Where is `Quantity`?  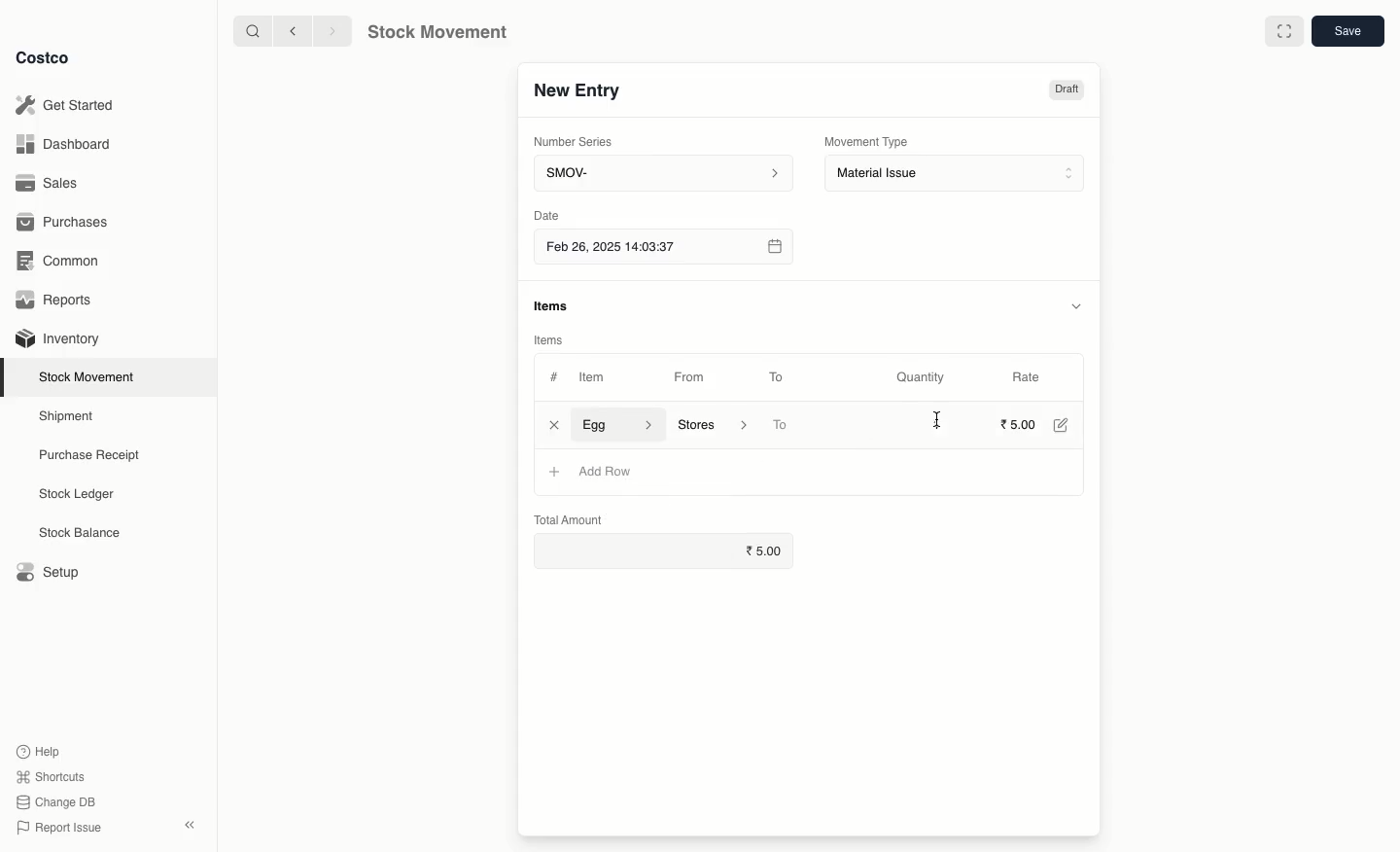 Quantity is located at coordinates (924, 378).